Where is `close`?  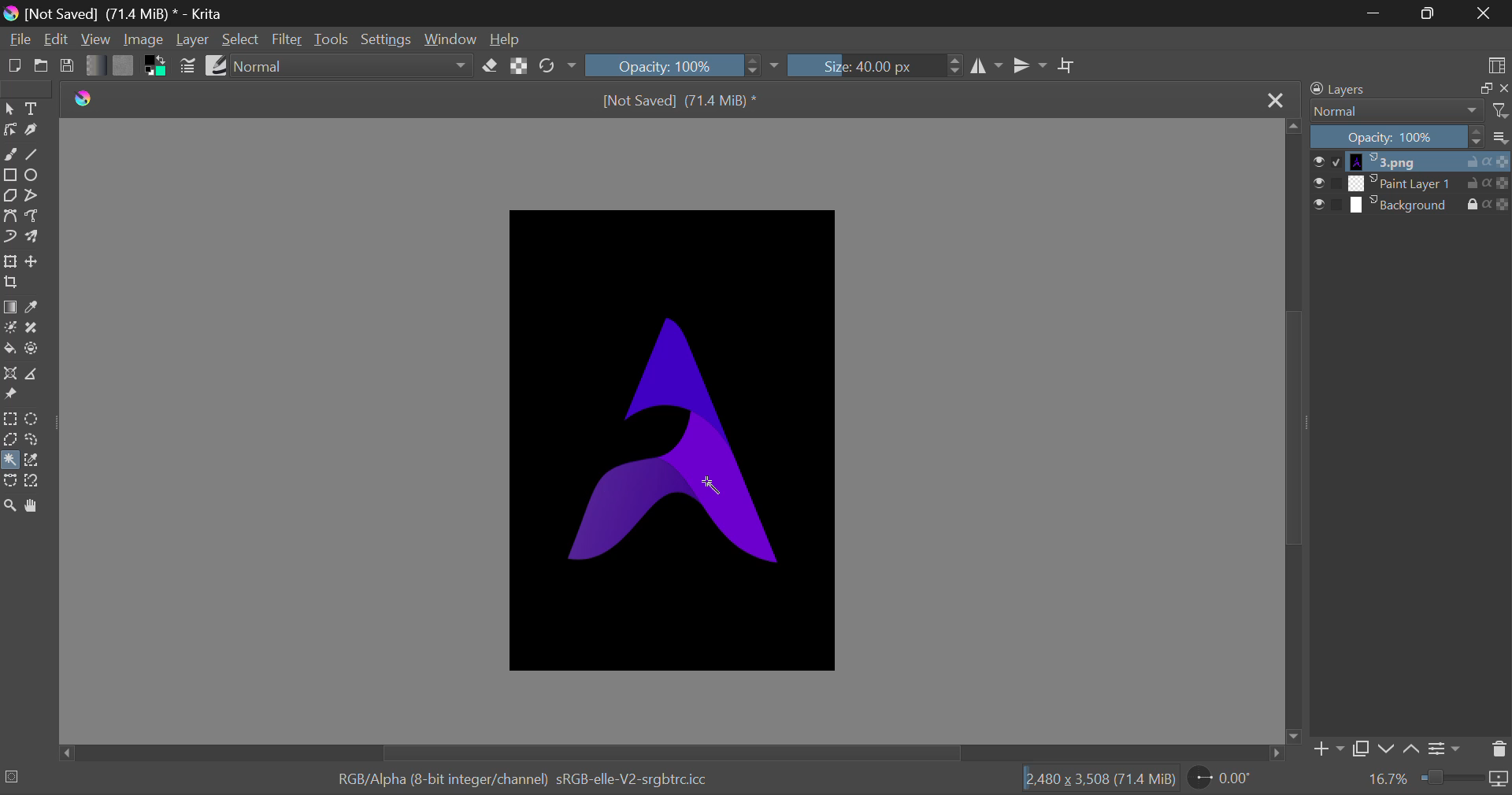
close is located at coordinates (1503, 87).